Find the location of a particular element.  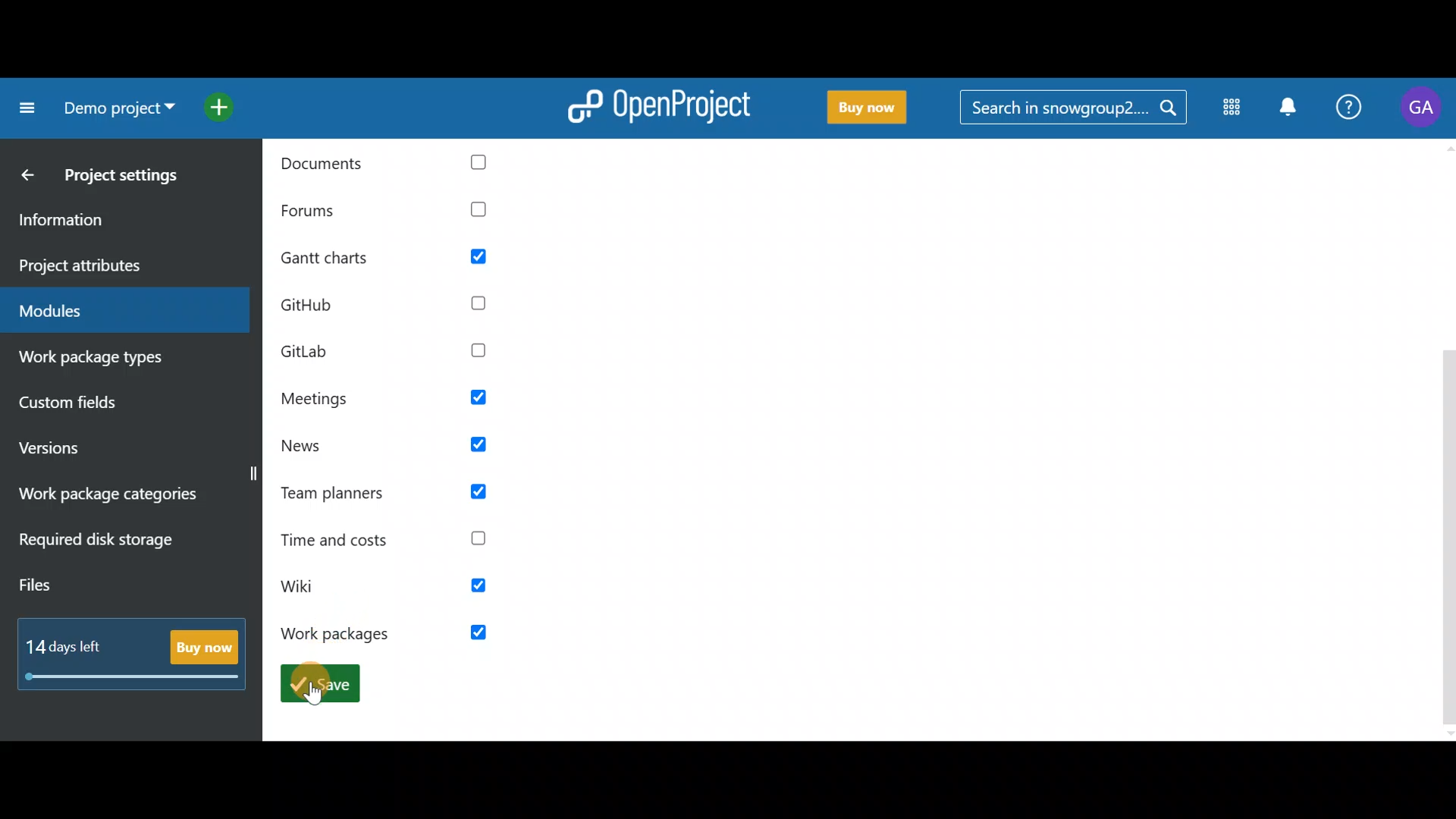

OpenProject is located at coordinates (660, 111).